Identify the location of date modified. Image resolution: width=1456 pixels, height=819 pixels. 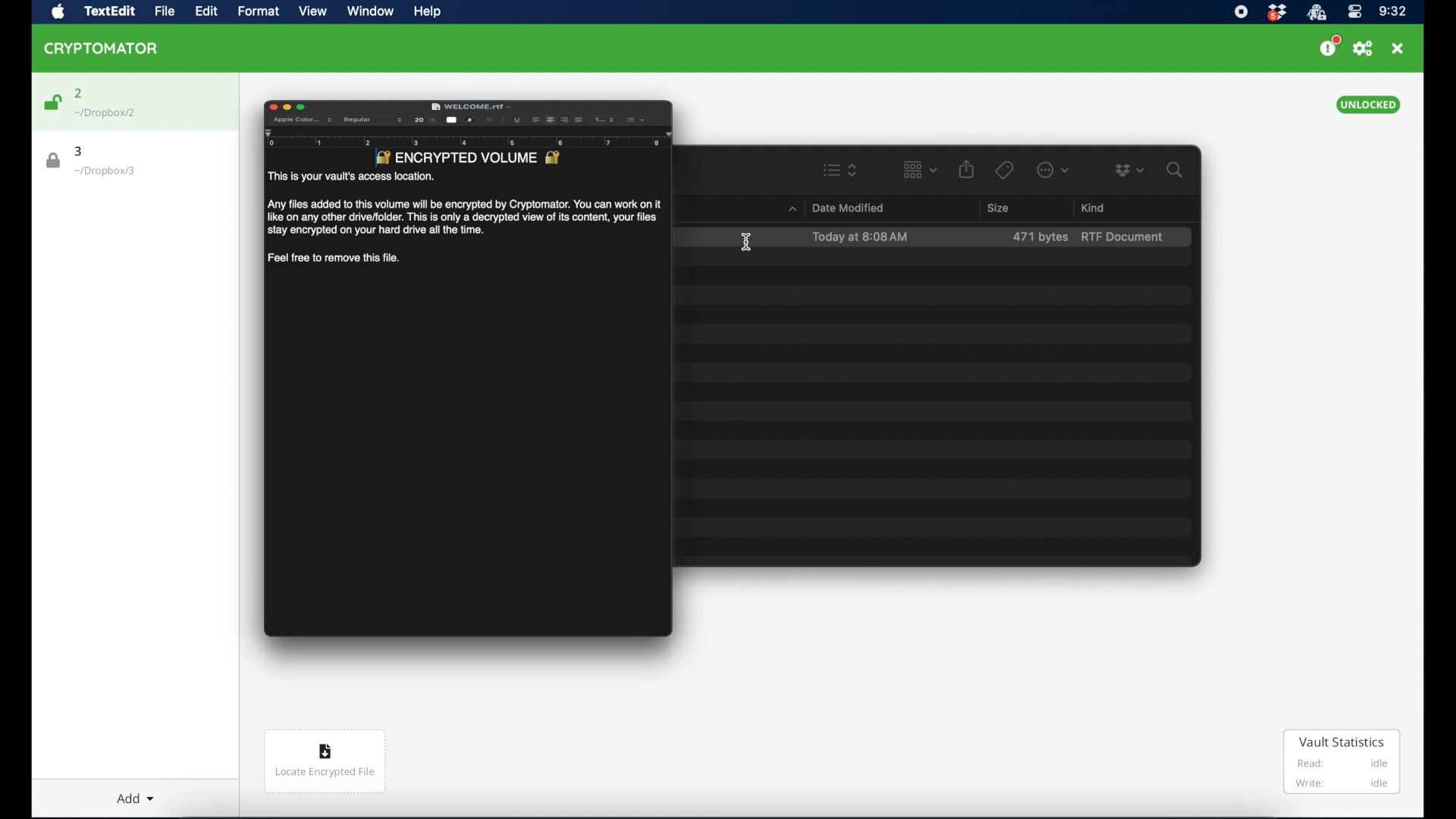
(848, 208).